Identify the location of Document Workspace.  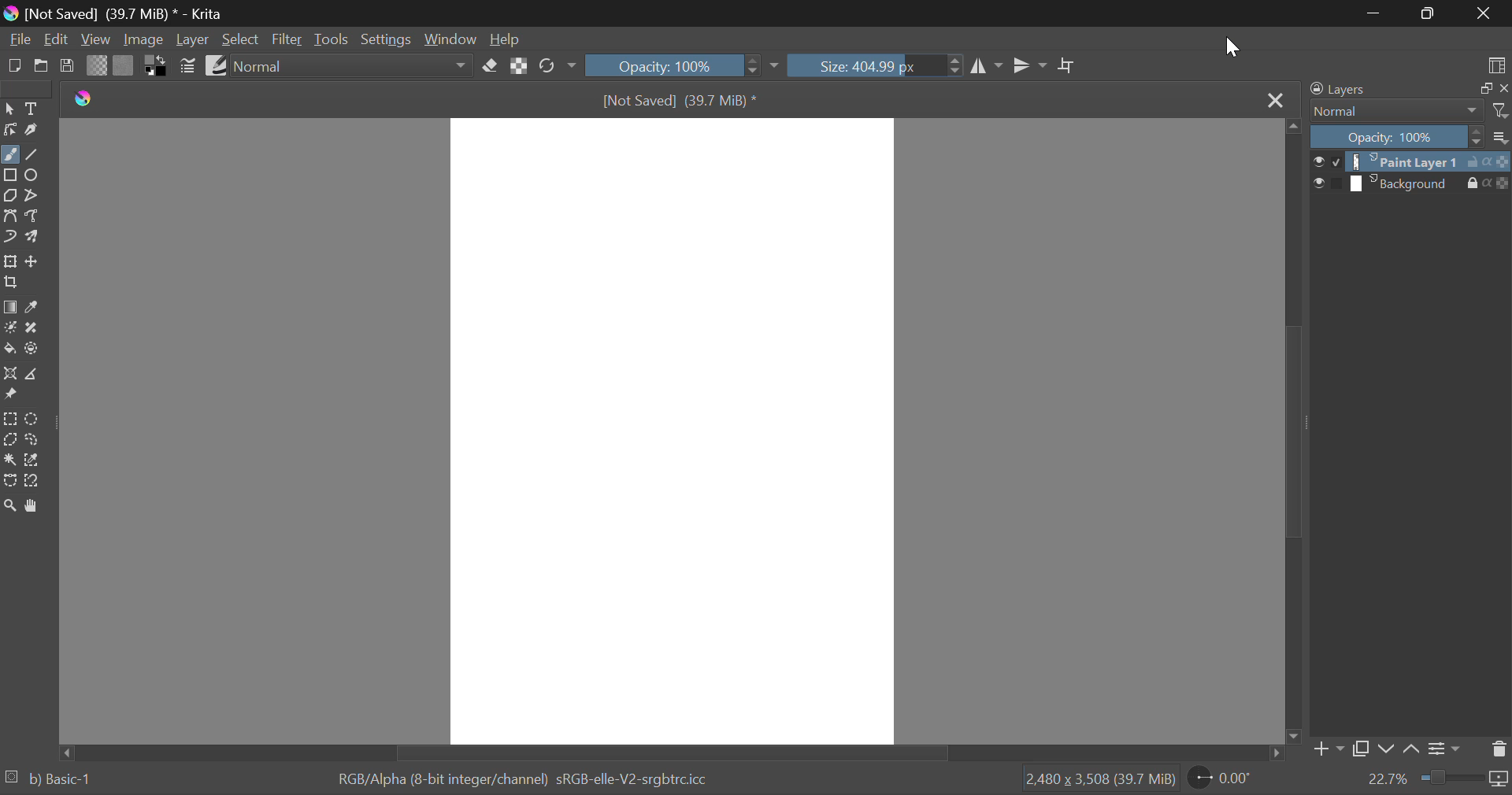
(672, 429).